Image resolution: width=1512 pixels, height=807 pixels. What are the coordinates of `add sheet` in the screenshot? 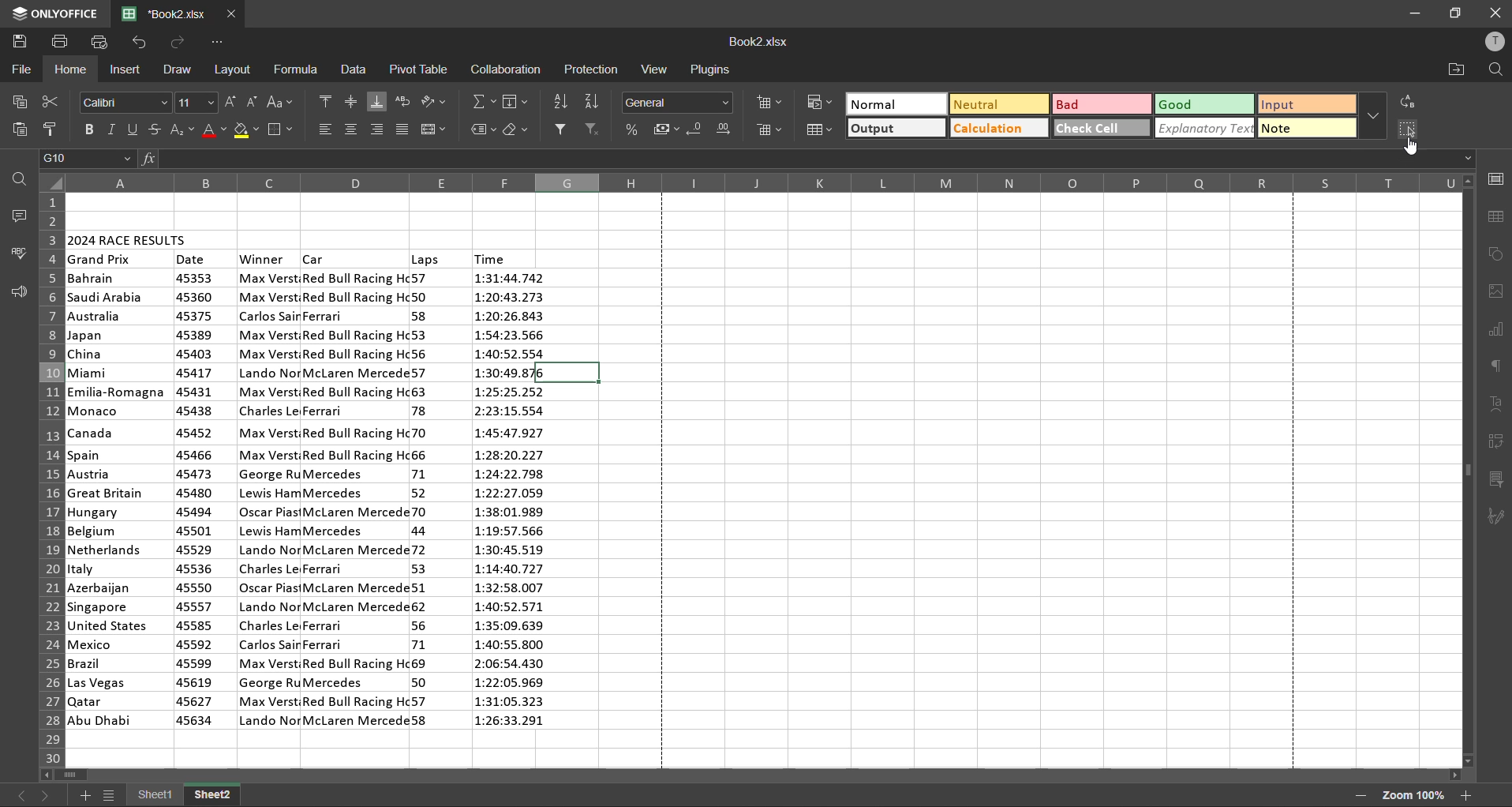 It's located at (85, 798).